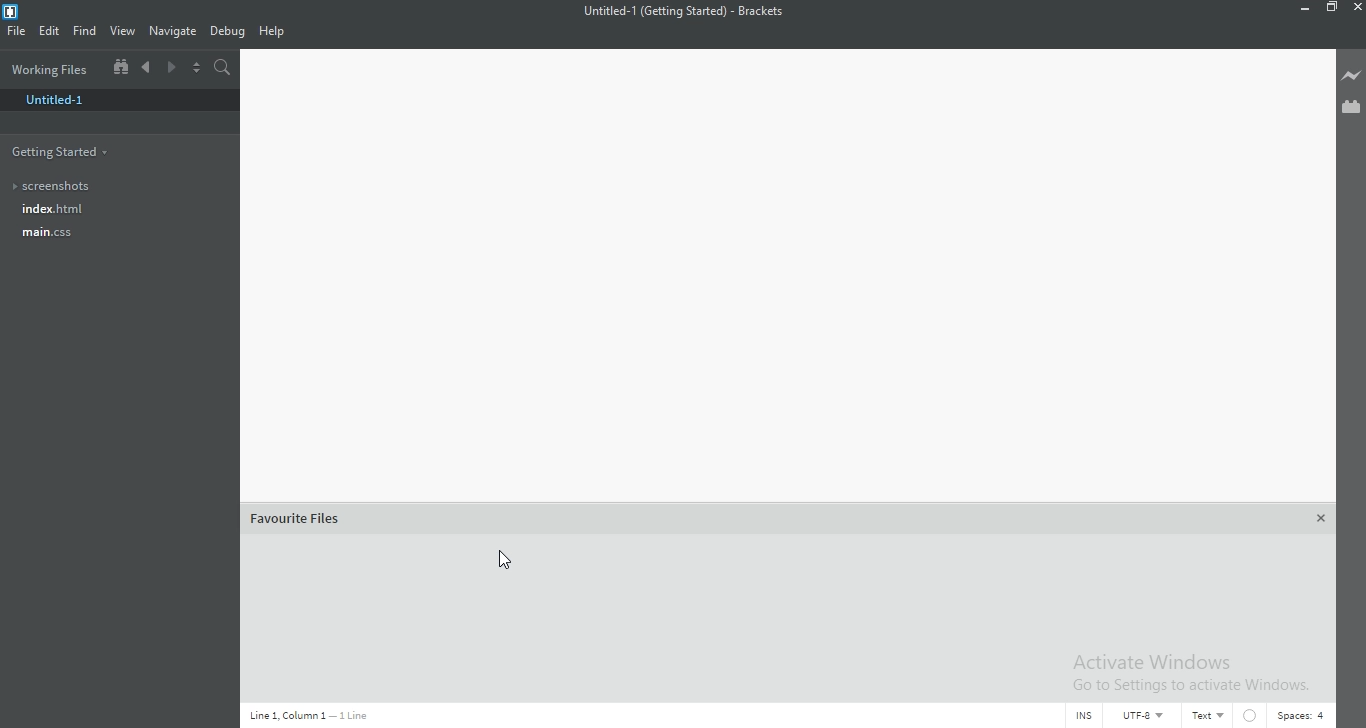  What do you see at coordinates (1311, 714) in the screenshot?
I see `Spaces:4` at bounding box center [1311, 714].